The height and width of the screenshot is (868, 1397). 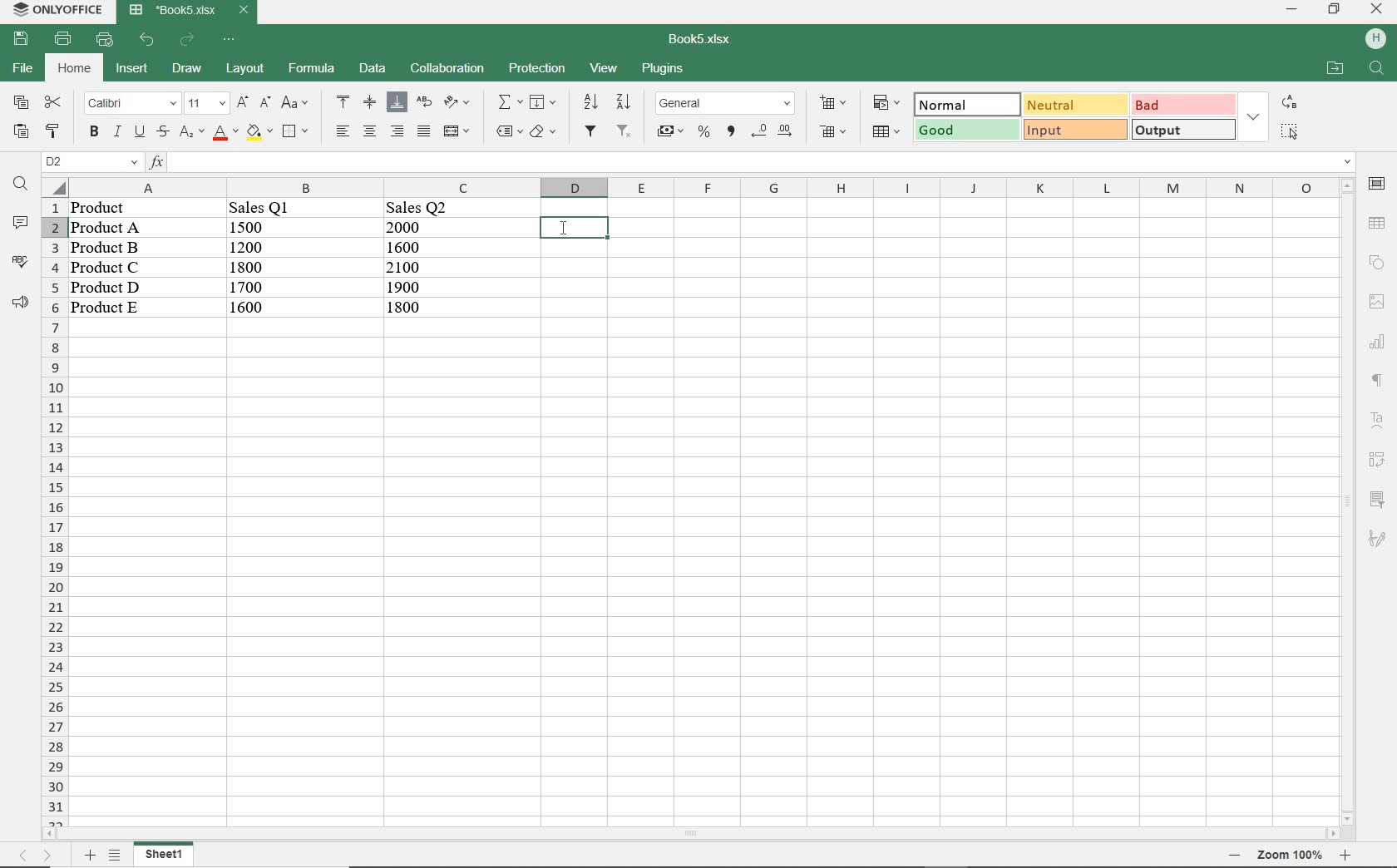 What do you see at coordinates (91, 162) in the screenshot?
I see `named manager` at bounding box center [91, 162].